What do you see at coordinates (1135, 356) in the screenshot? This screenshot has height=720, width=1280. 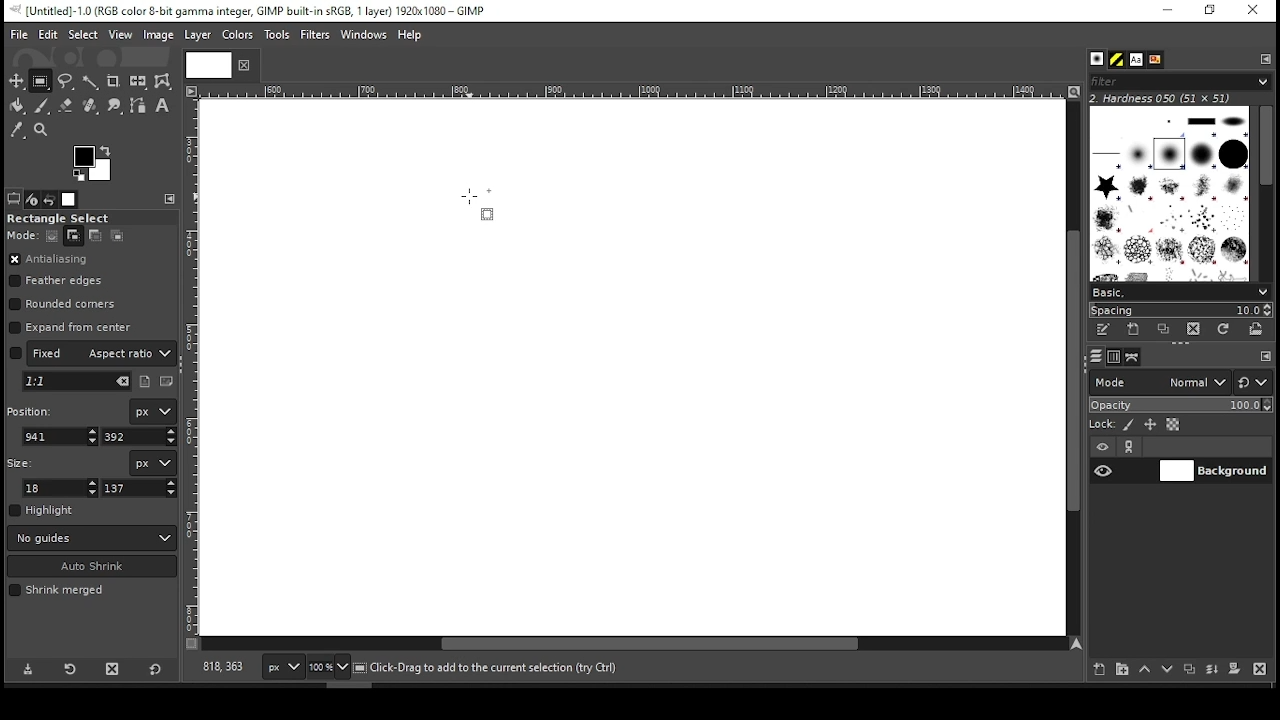 I see `paths` at bounding box center [1135, 356].